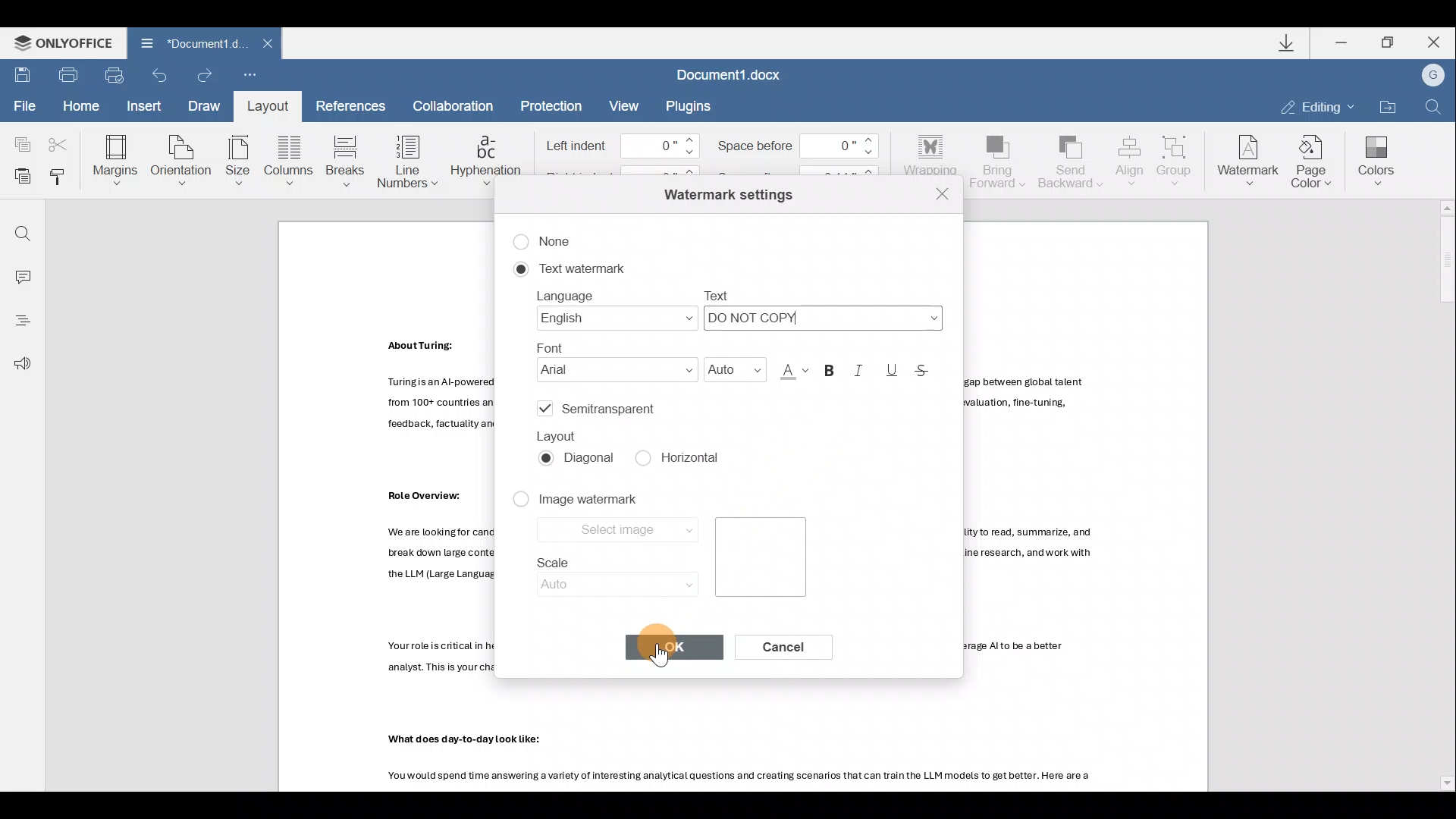 The width and height of the screenshot is (1456, 819). I want to click on Close, so click(943, 193).